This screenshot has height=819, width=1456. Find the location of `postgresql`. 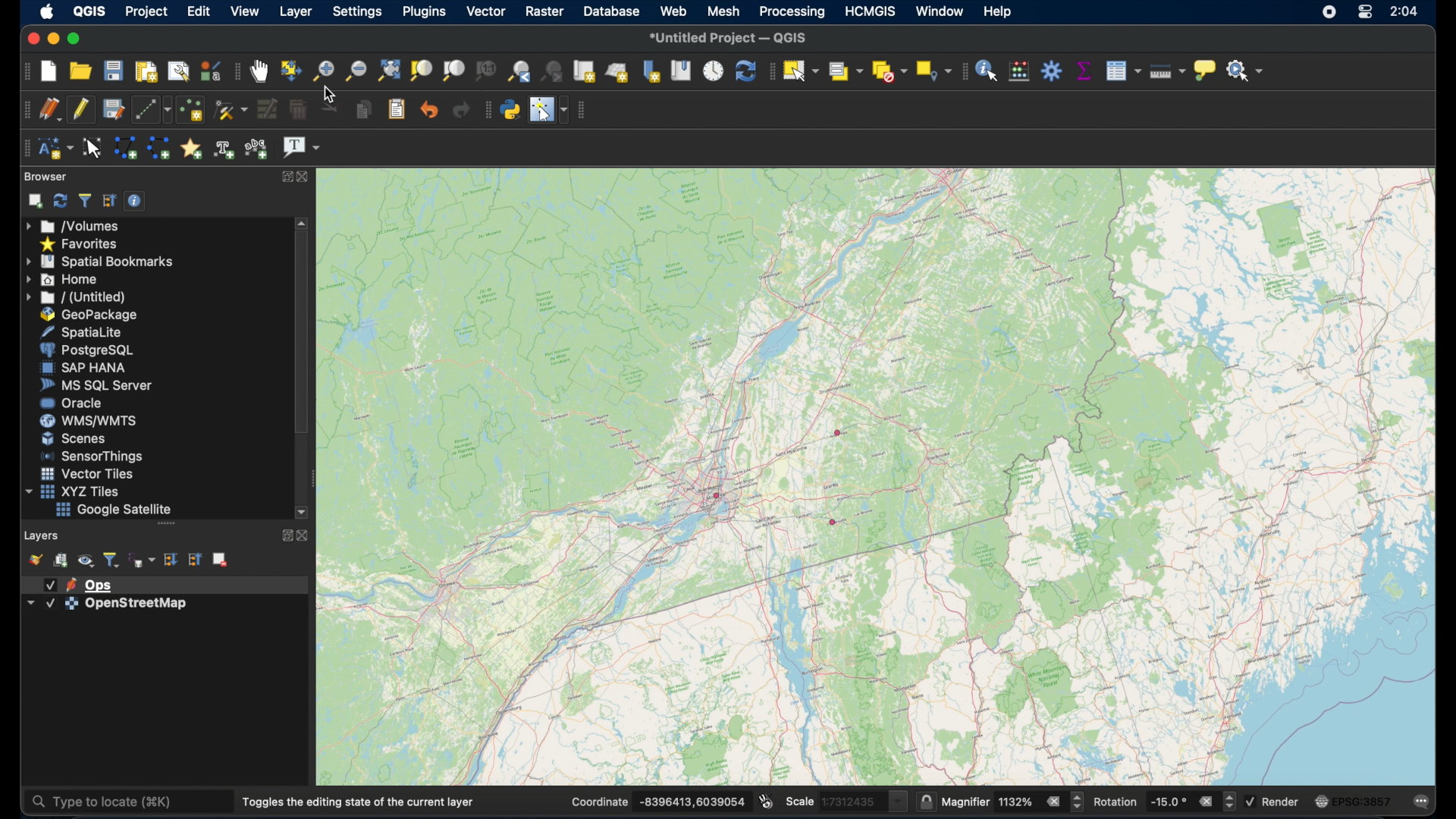

postgresql is located at coordinates (83, 349).